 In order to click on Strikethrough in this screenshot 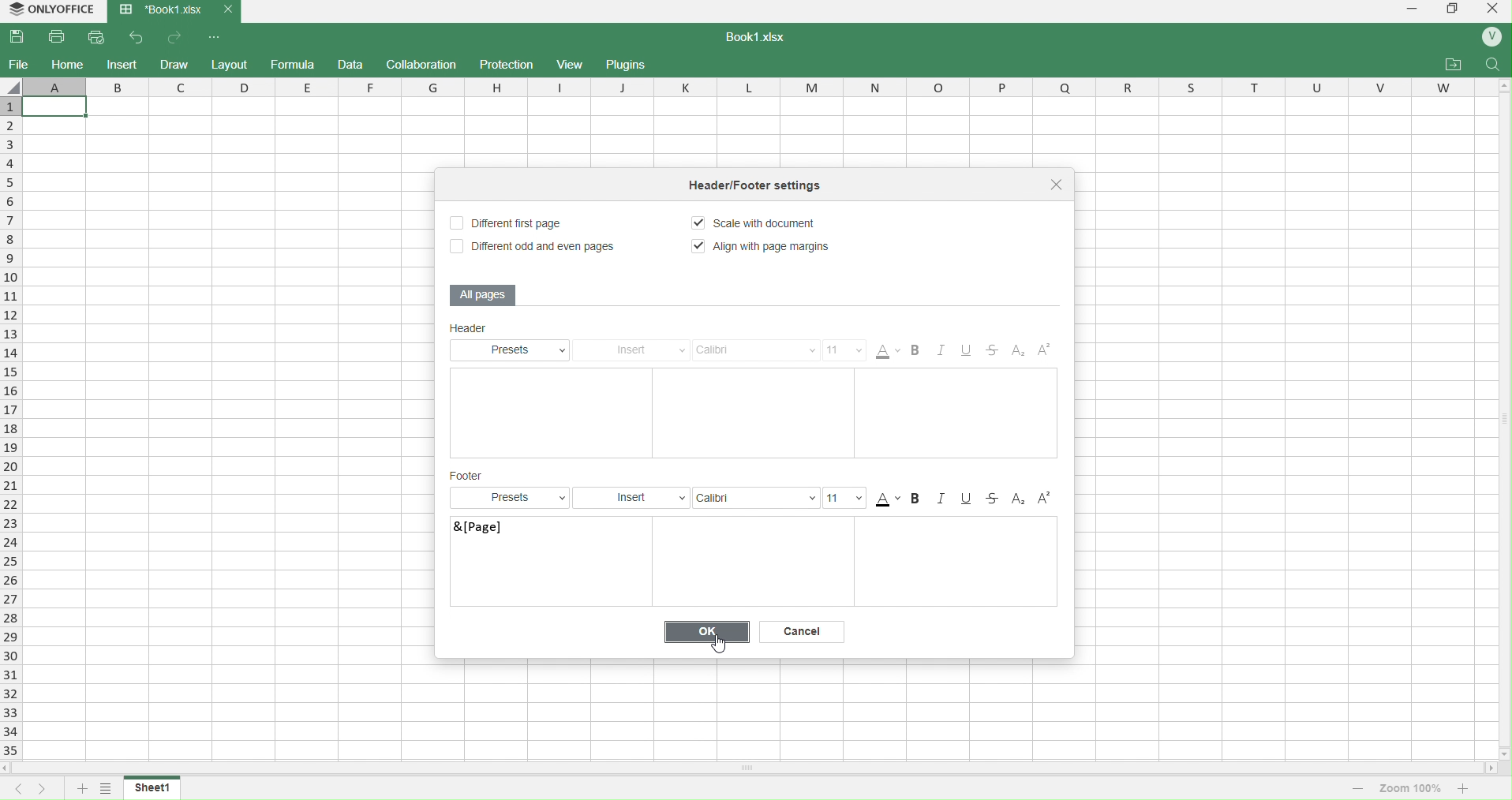, I will do `click(995, 499)`.